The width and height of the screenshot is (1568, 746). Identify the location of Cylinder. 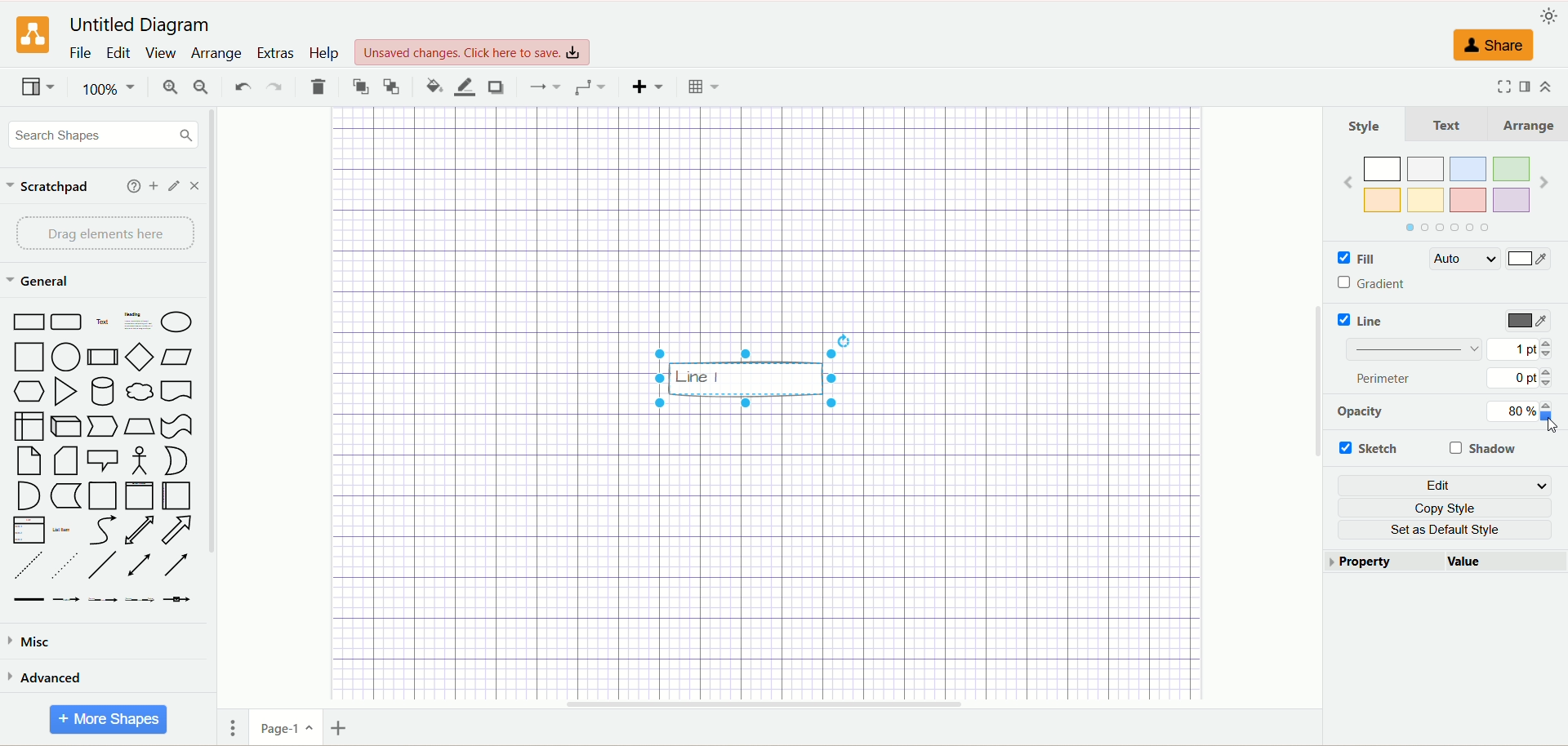
(102, 391).